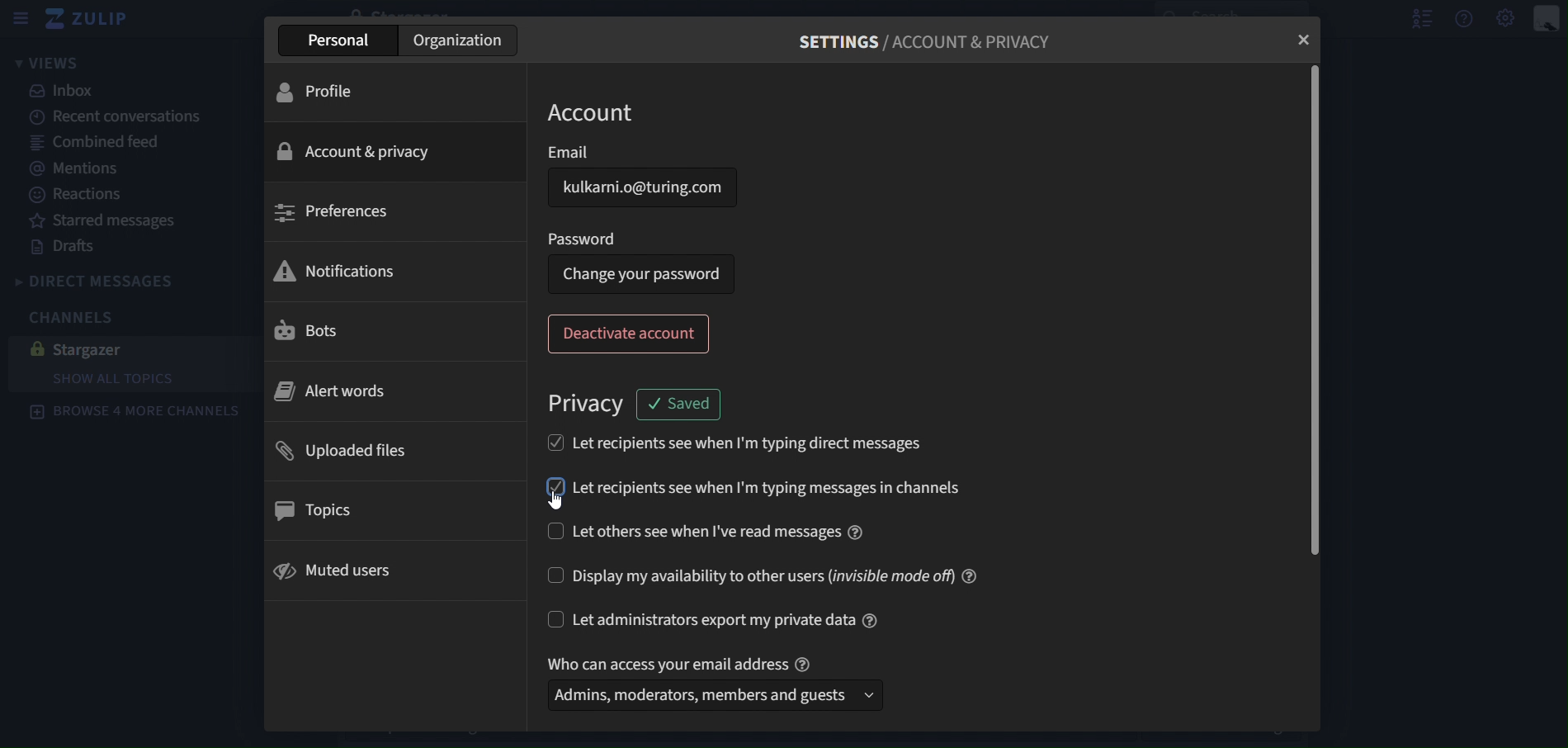 This screenshot has height=748, width=1568. I want to click on deactivate account, so click(626, 334).